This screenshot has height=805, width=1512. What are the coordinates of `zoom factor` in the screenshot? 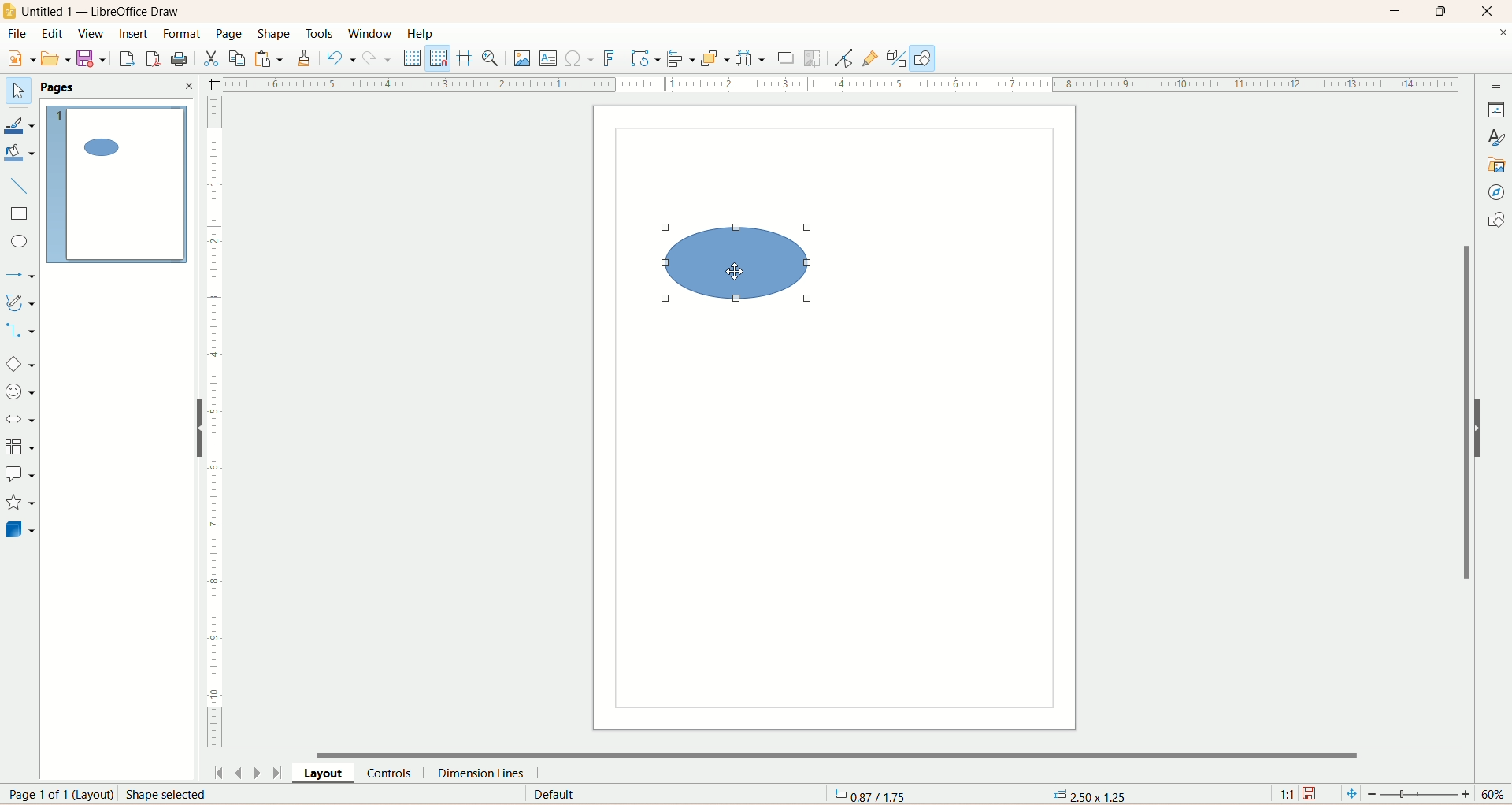 It's located at (1421, 793).